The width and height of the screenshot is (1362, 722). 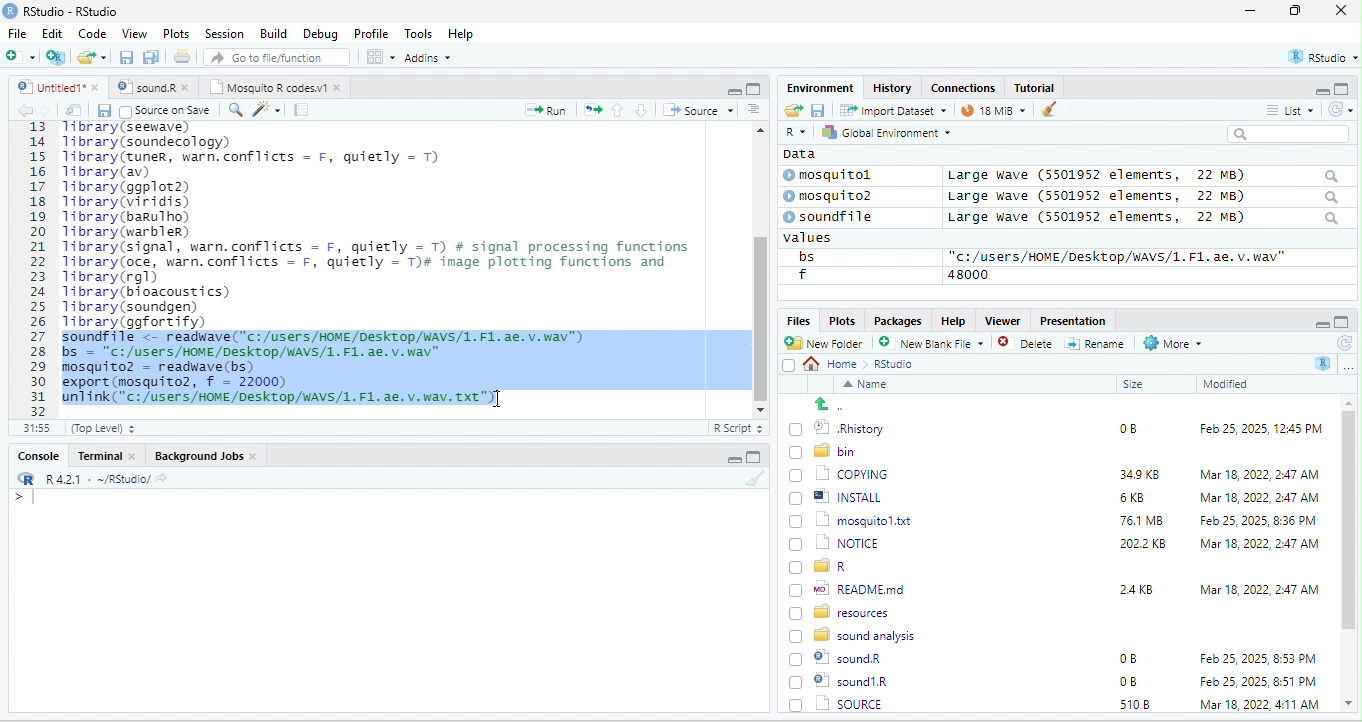 What do you see at coordinates (993, 112) in the screenshot?
I see `9 mb` at bounding box center [993, 112].